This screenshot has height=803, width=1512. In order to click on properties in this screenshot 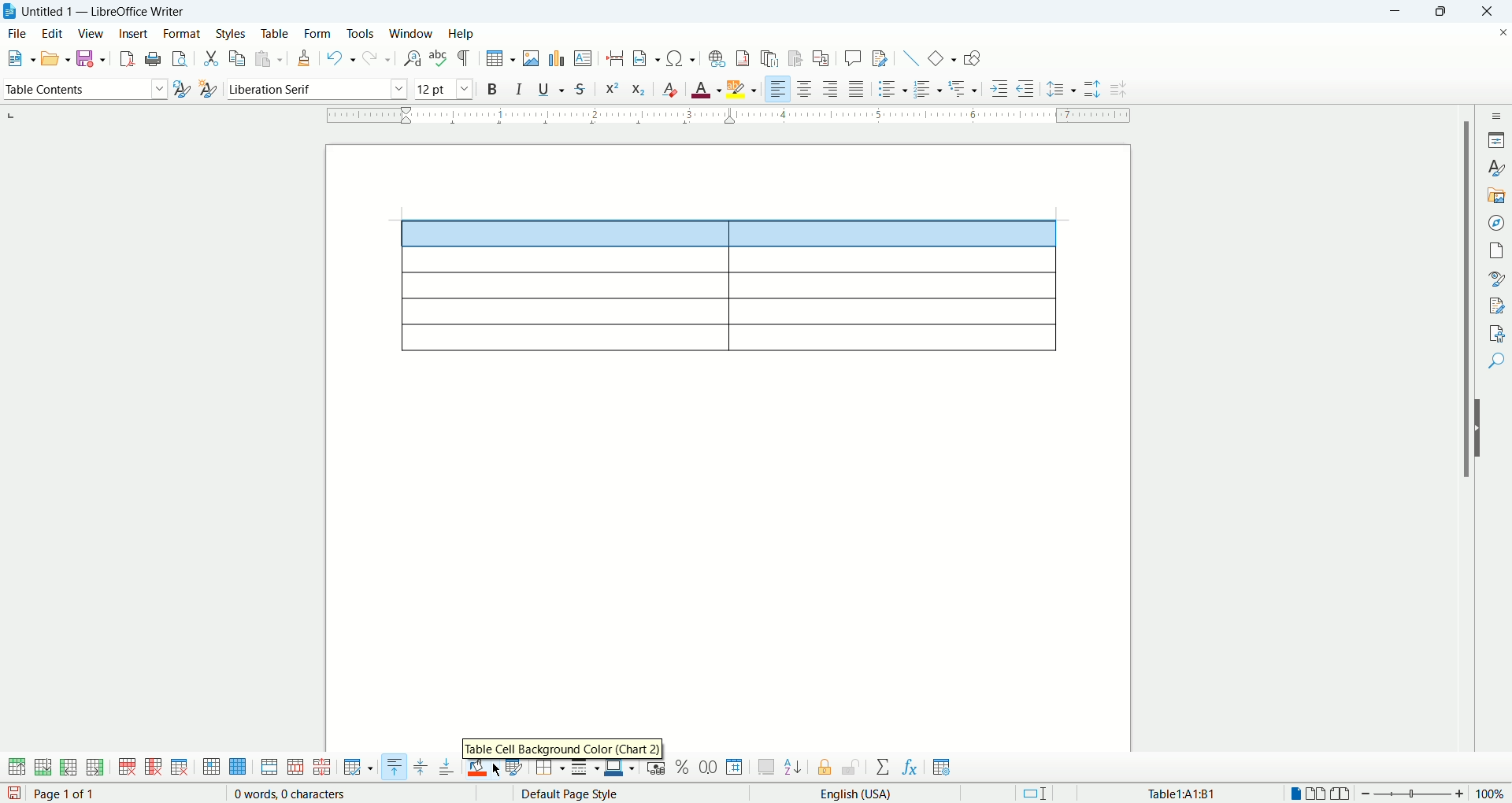, I will do `click(1496, 139)`.